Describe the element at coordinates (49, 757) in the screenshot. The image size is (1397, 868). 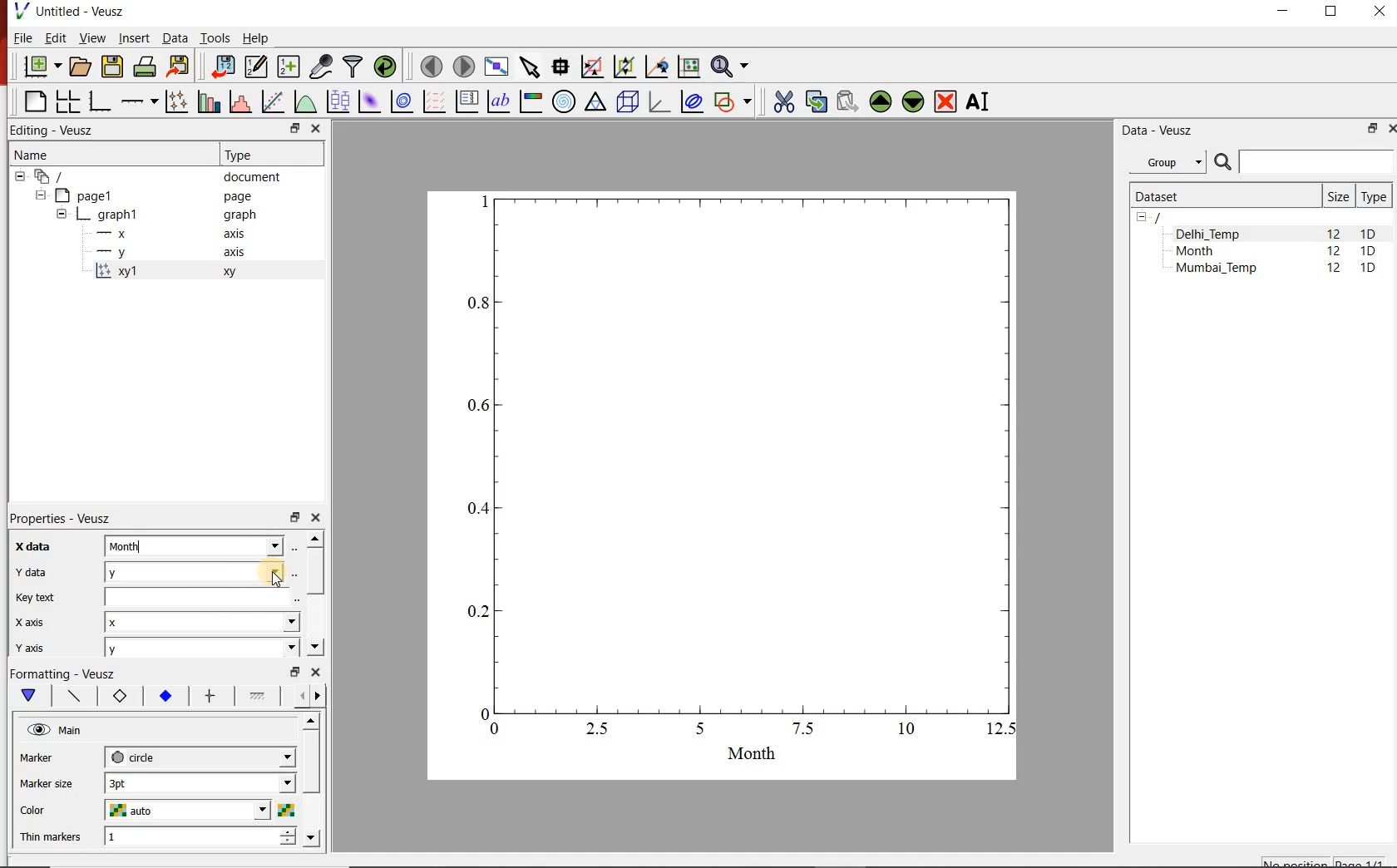
I see `marker` at that location.